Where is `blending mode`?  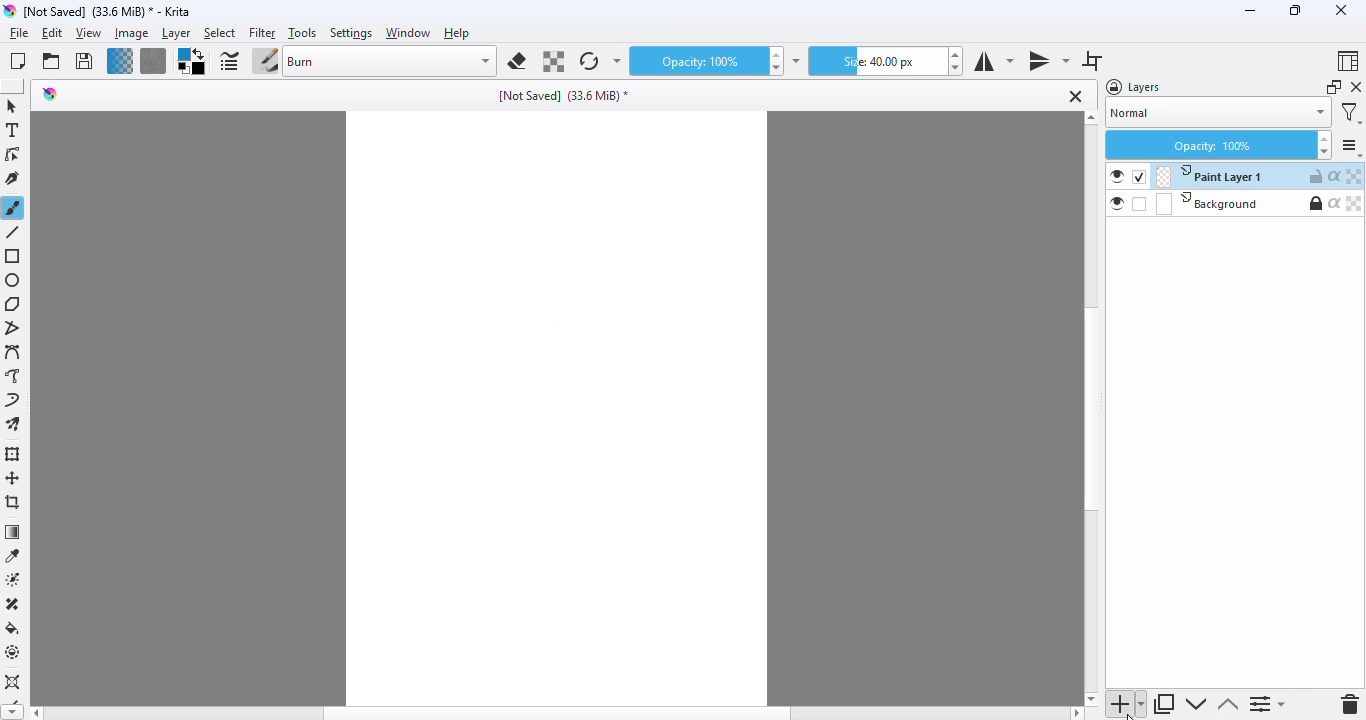
blending mode is located at coordinates (1218, 114).